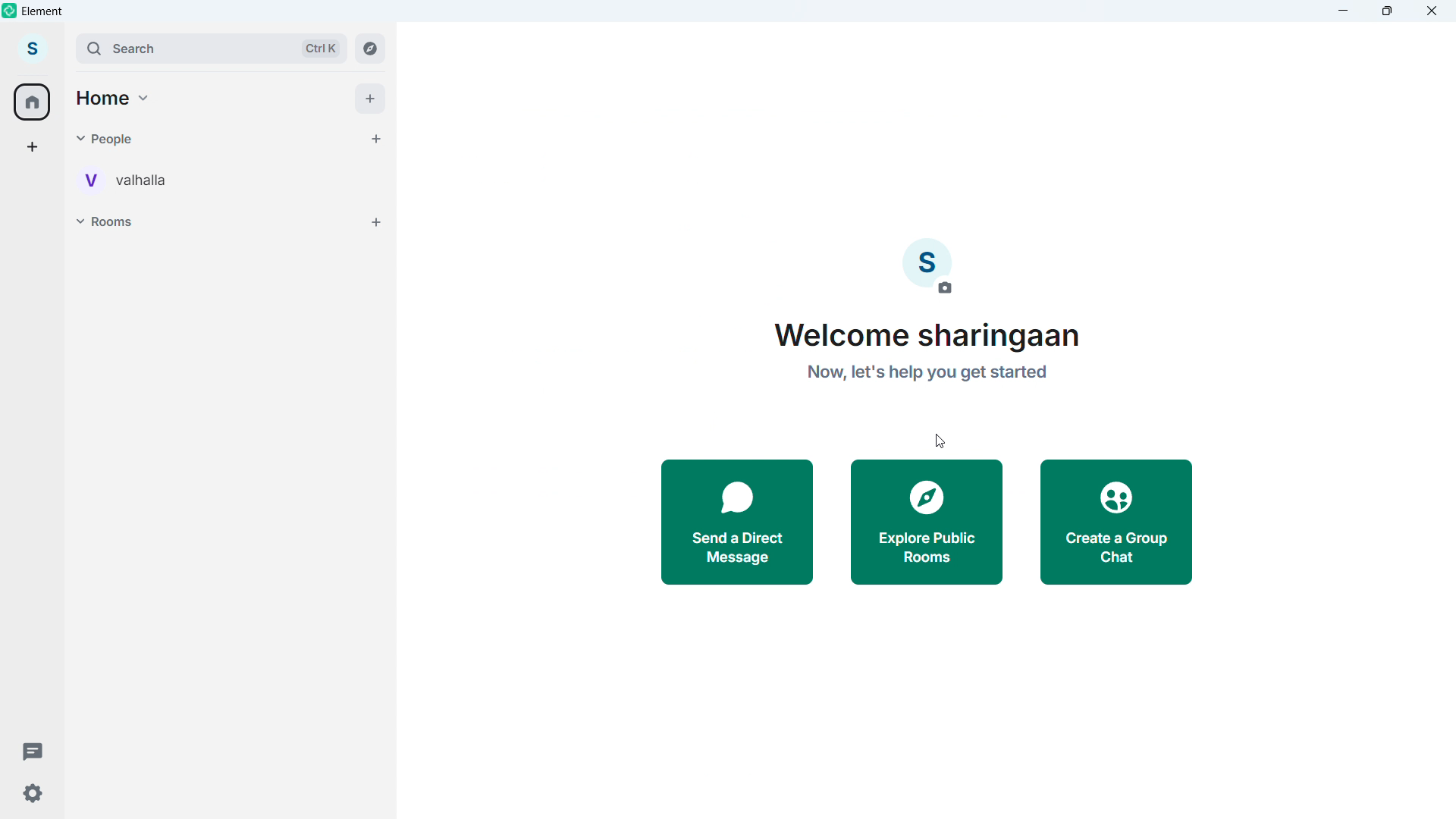 This screenshot has height=819, width=1456. Describe the element at coordinates (1431, 11) in the screenshot. I see `close ` at that location.